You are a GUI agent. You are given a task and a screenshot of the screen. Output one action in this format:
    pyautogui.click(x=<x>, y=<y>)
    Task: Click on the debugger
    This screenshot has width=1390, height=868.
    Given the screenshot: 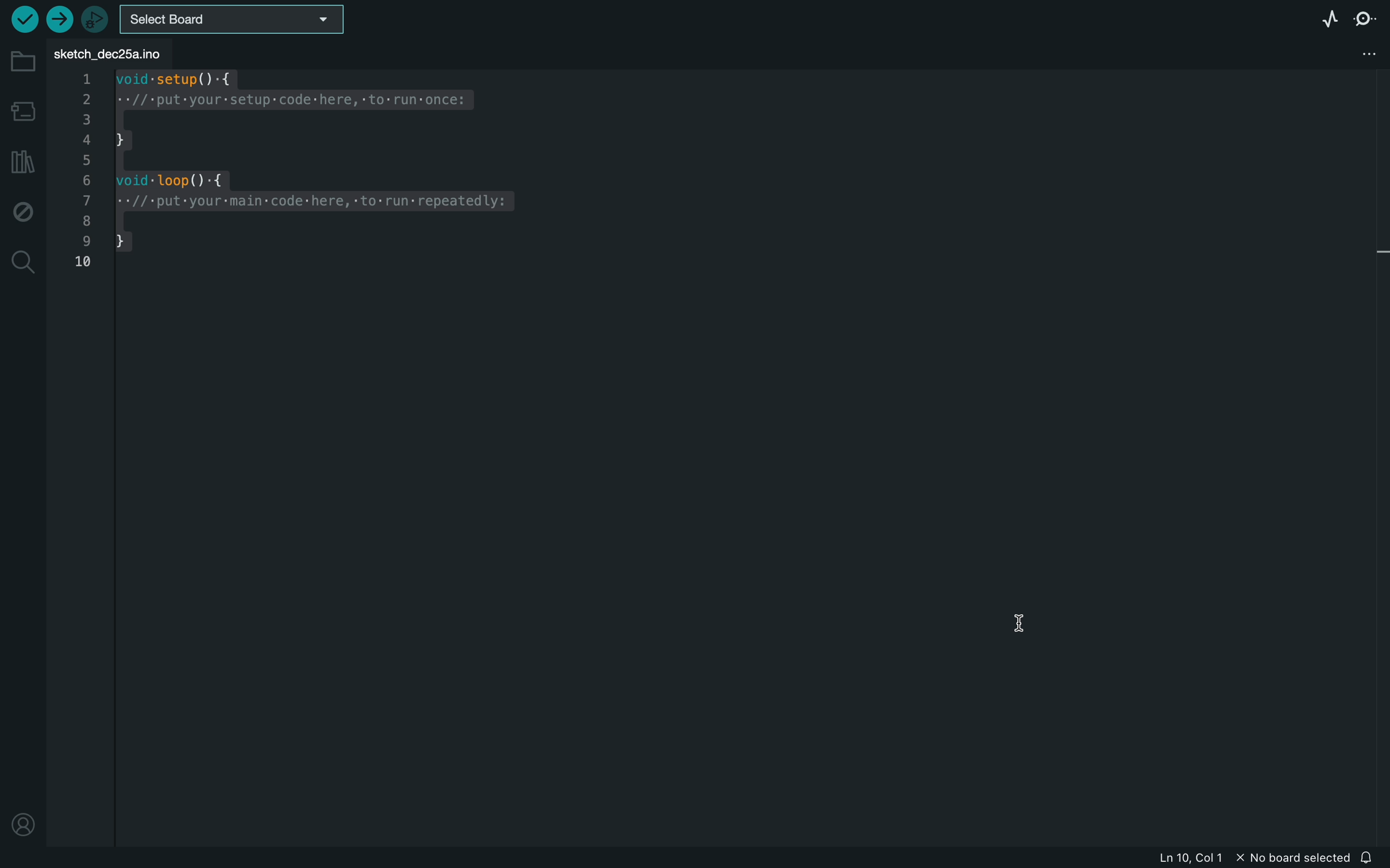 What is the action you would take?
    pyautogui.click(x=96, y=20)
    